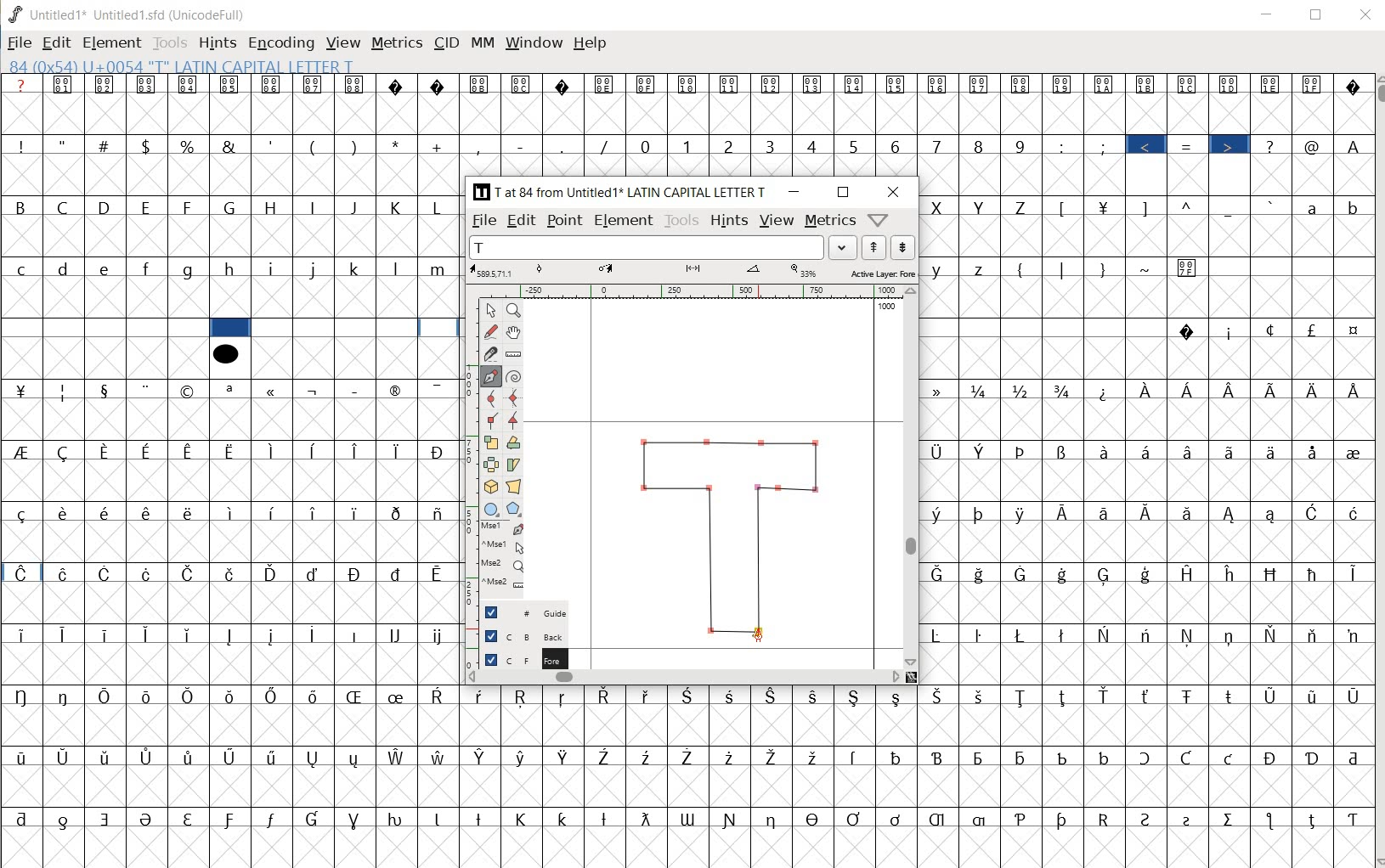  Describe the element at coordinates (940, 819) in the screenshot. I see `Symbol` at that location.